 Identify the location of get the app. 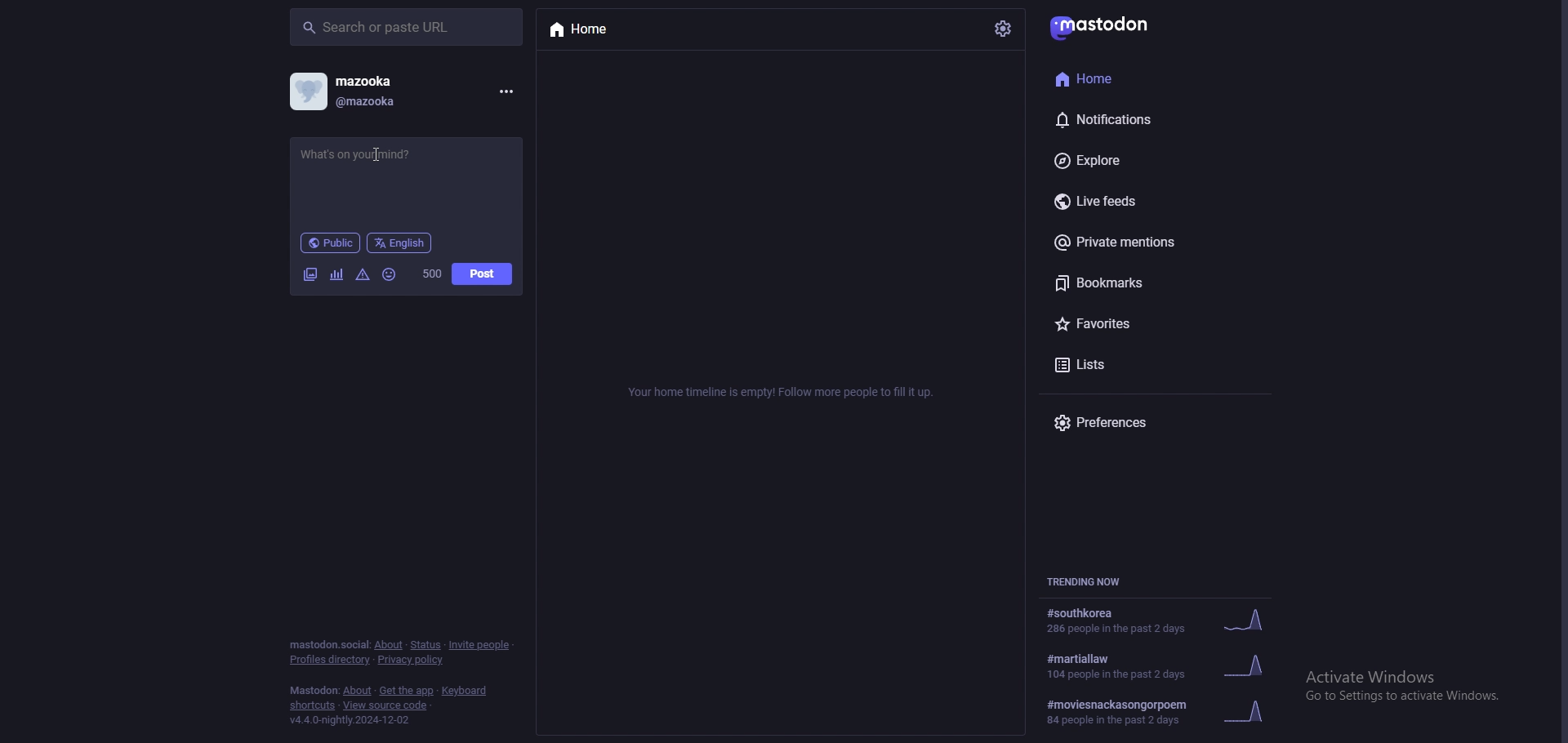
(408, 691).